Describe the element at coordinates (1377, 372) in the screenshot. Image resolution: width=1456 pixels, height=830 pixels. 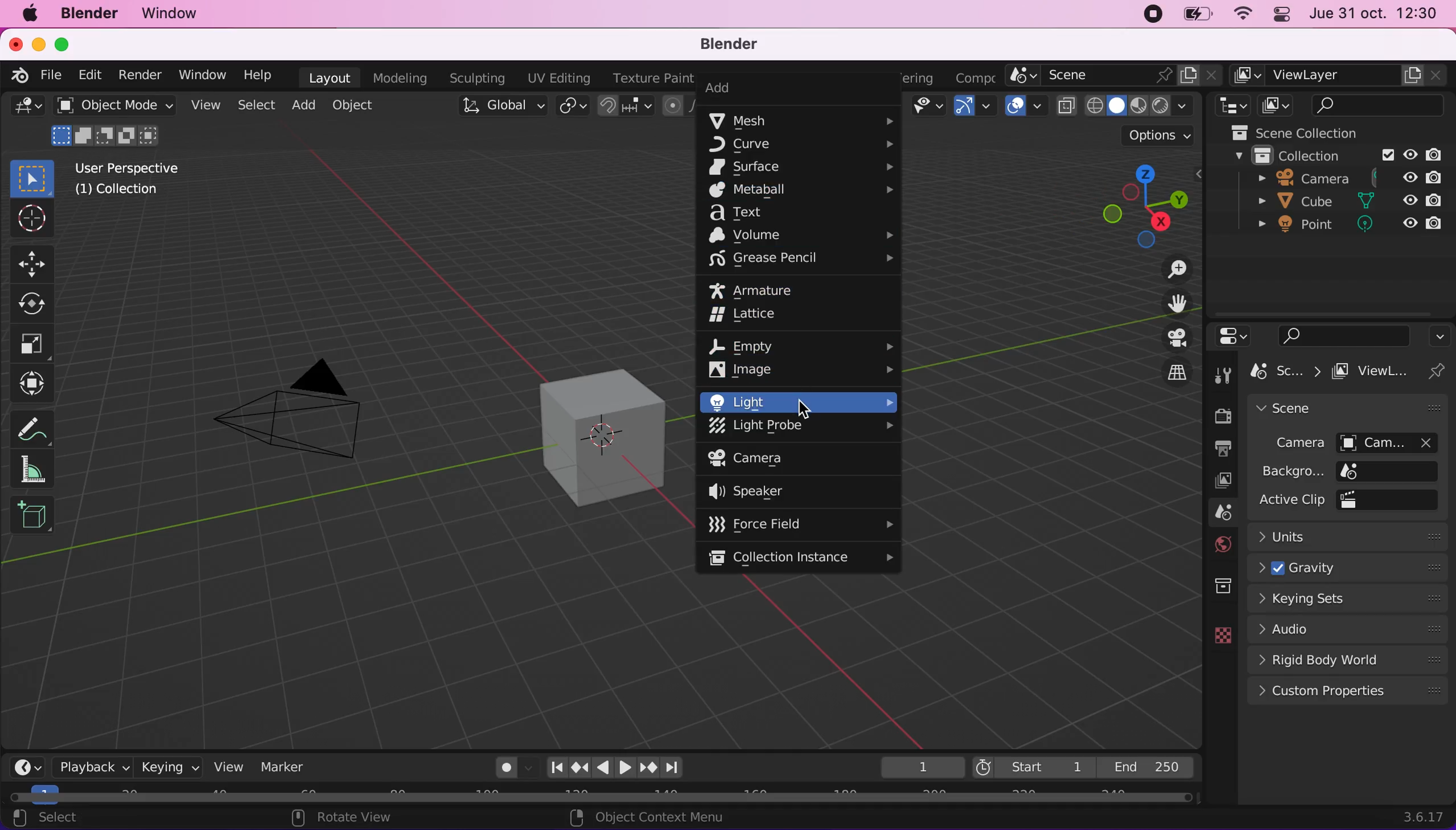
I see `viewlayer` at that location.